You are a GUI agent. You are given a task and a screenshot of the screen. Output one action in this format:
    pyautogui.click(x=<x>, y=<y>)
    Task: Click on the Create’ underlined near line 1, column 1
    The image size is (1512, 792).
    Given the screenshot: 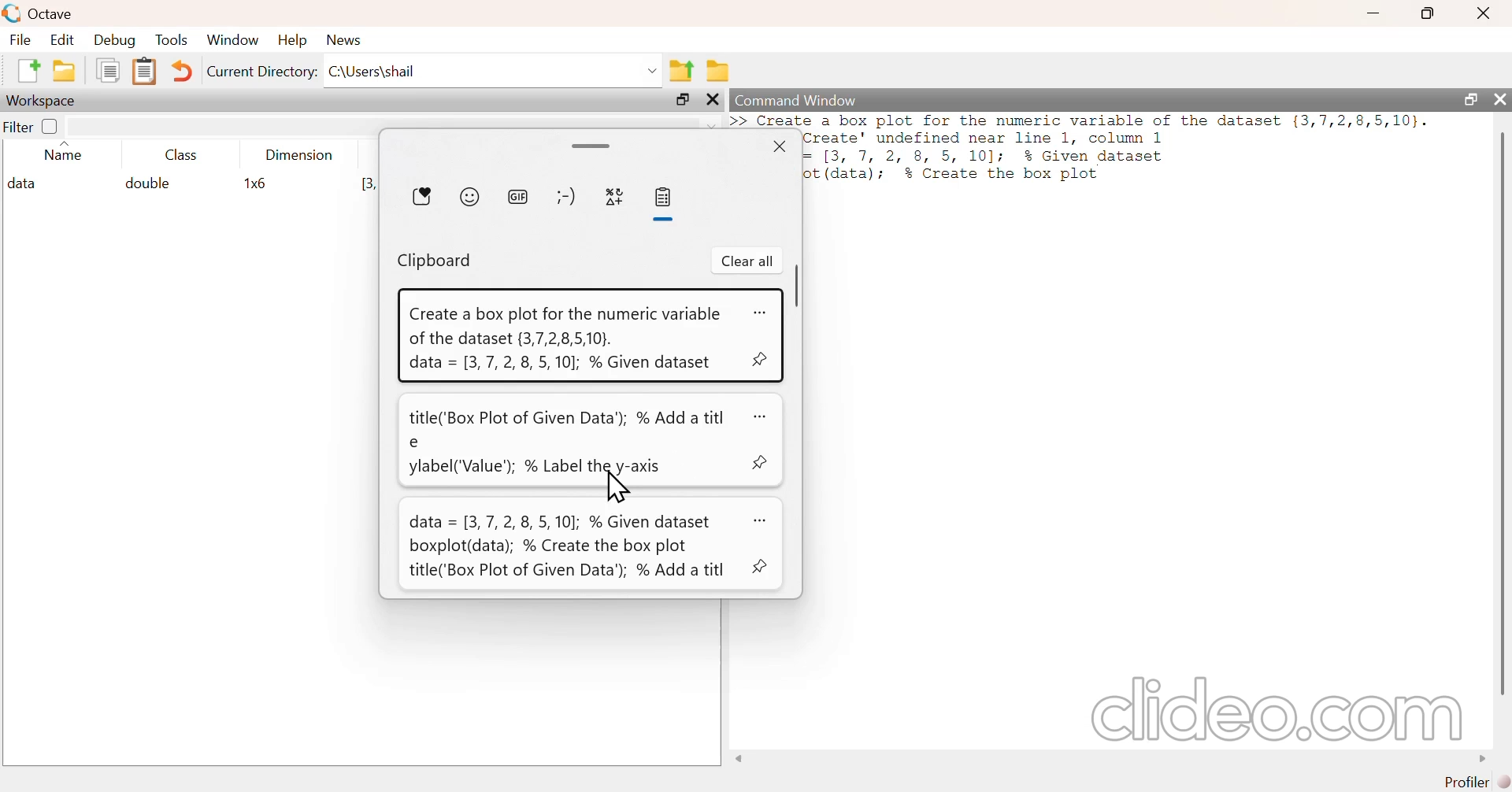 What is the action you would take?
    pyautogui.click(x=991, y=138)
    